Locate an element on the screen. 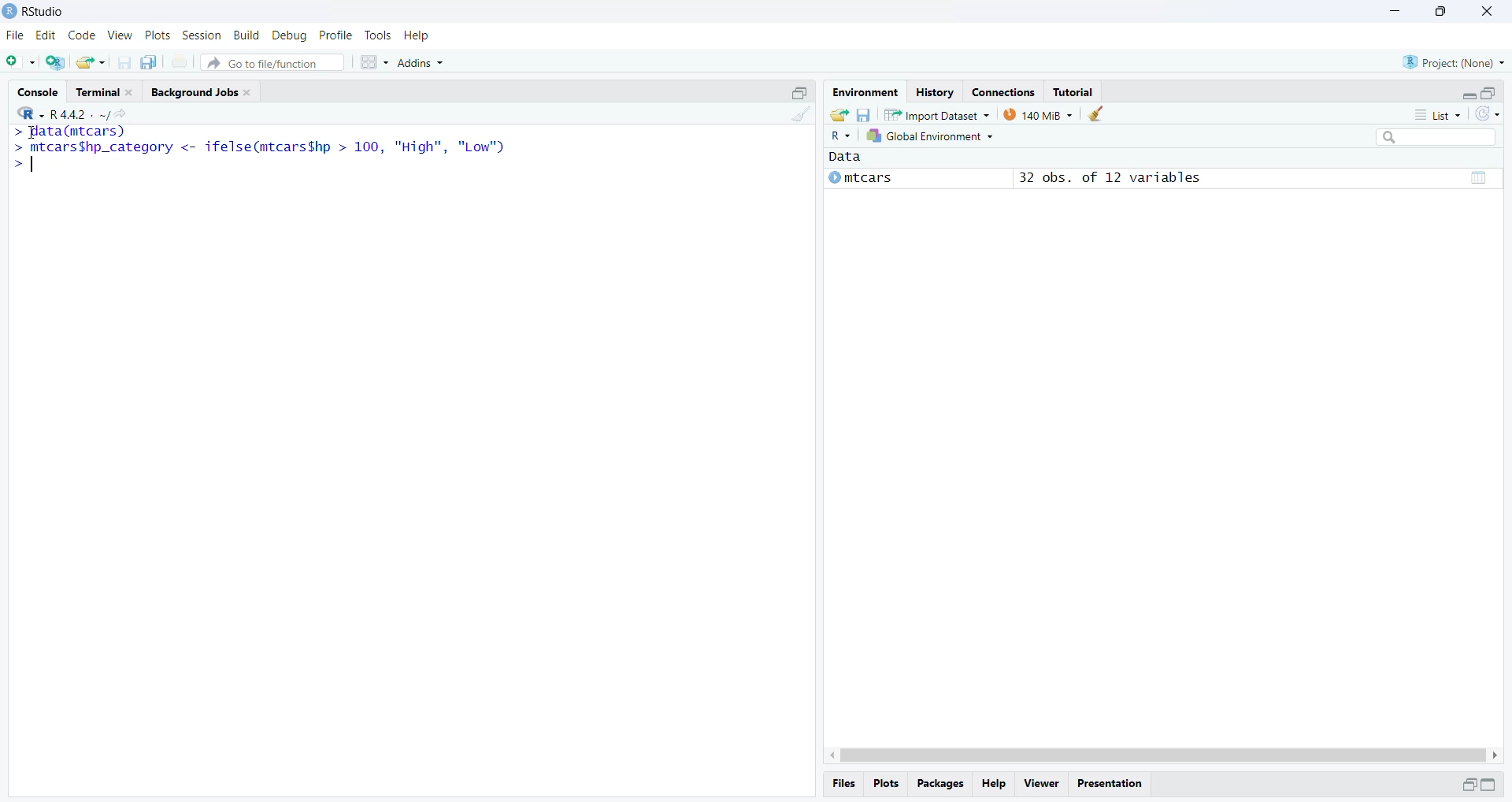  values
mtcars <Promise> is located at coordinates (1162, 173).